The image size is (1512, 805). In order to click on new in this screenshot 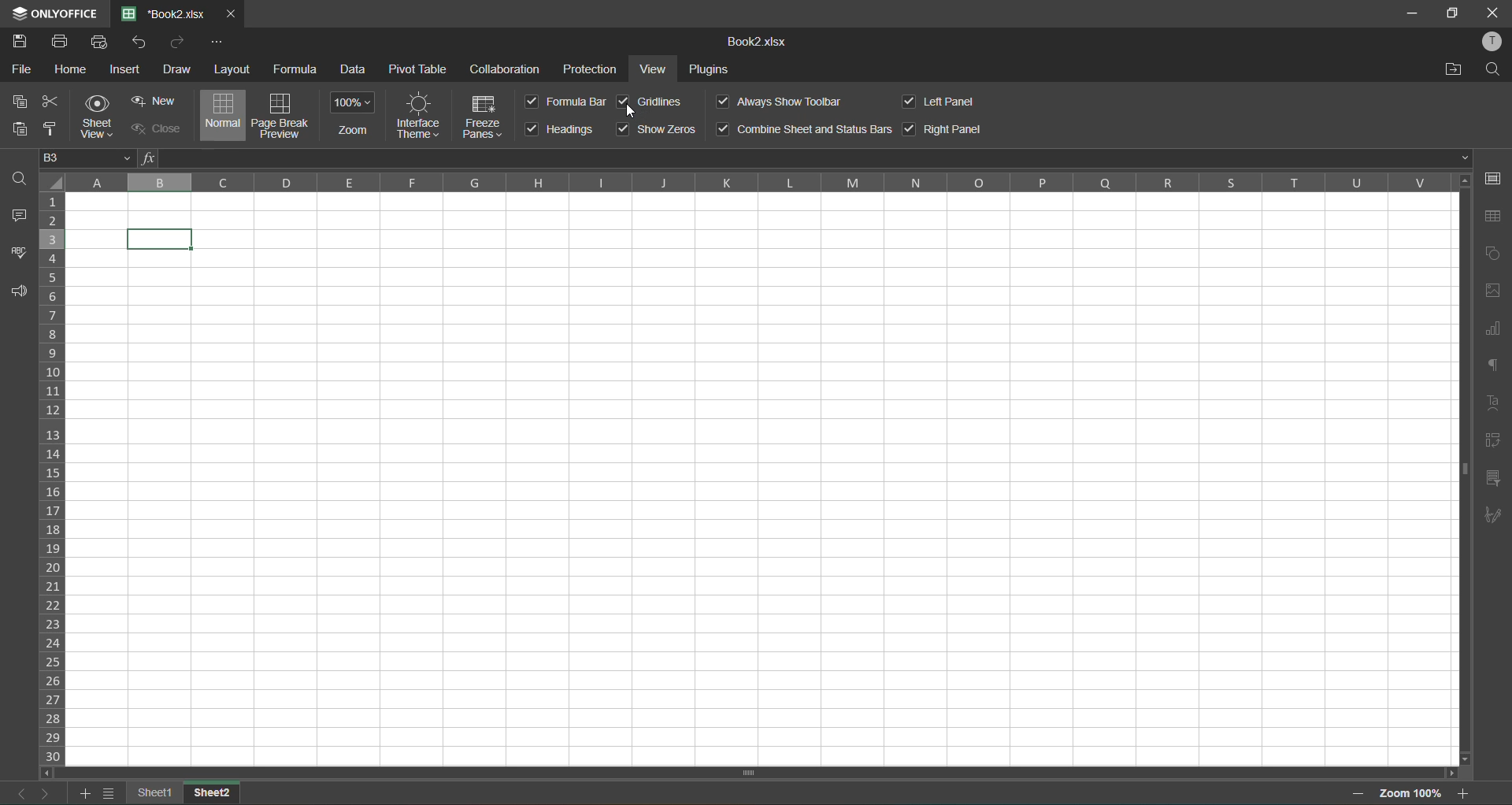, I will do `click(157, 101)`.